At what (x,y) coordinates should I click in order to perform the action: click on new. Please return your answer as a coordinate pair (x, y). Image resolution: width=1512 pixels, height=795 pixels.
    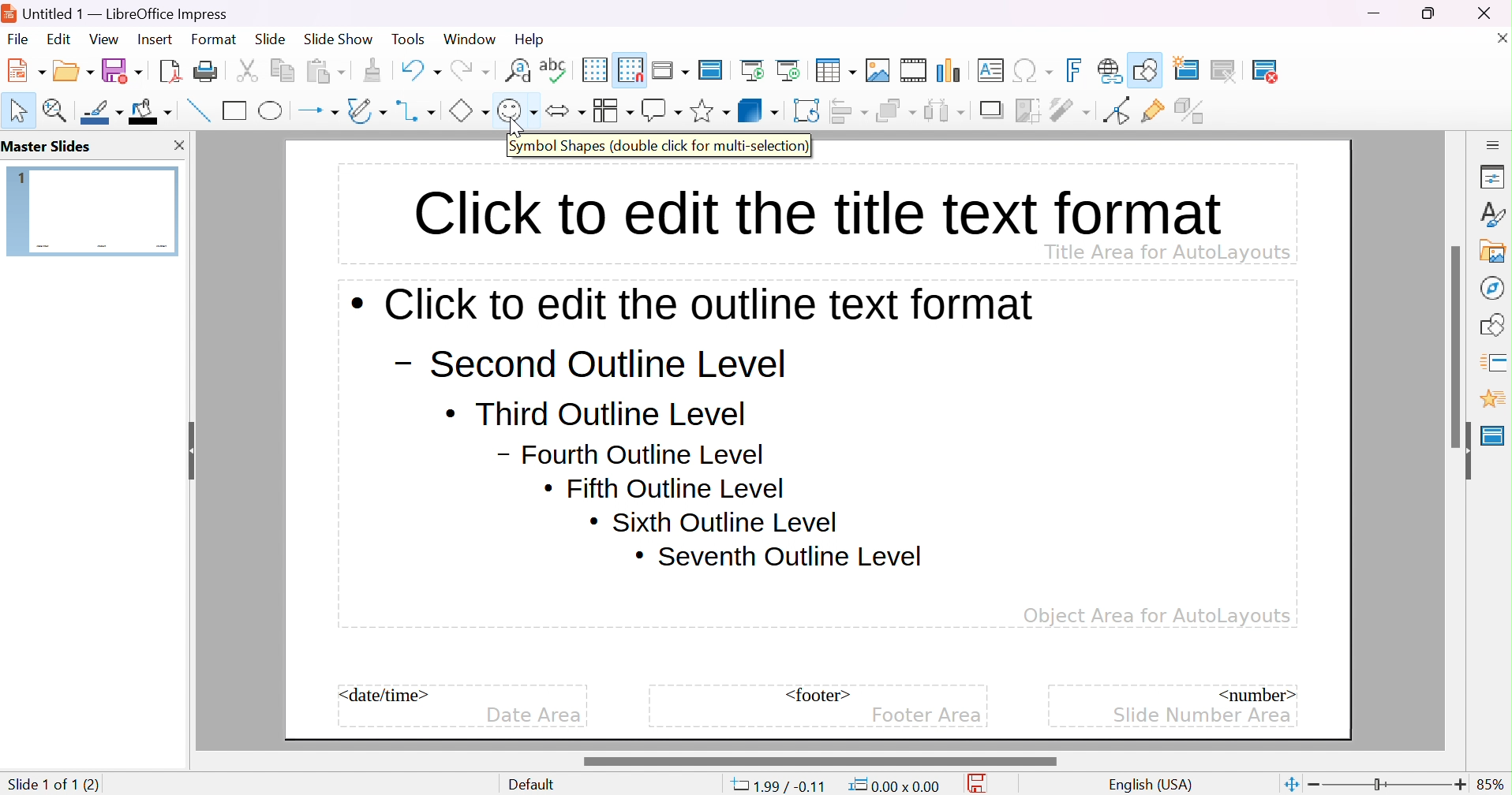
    Looking at the image, I should click on (28, 69).